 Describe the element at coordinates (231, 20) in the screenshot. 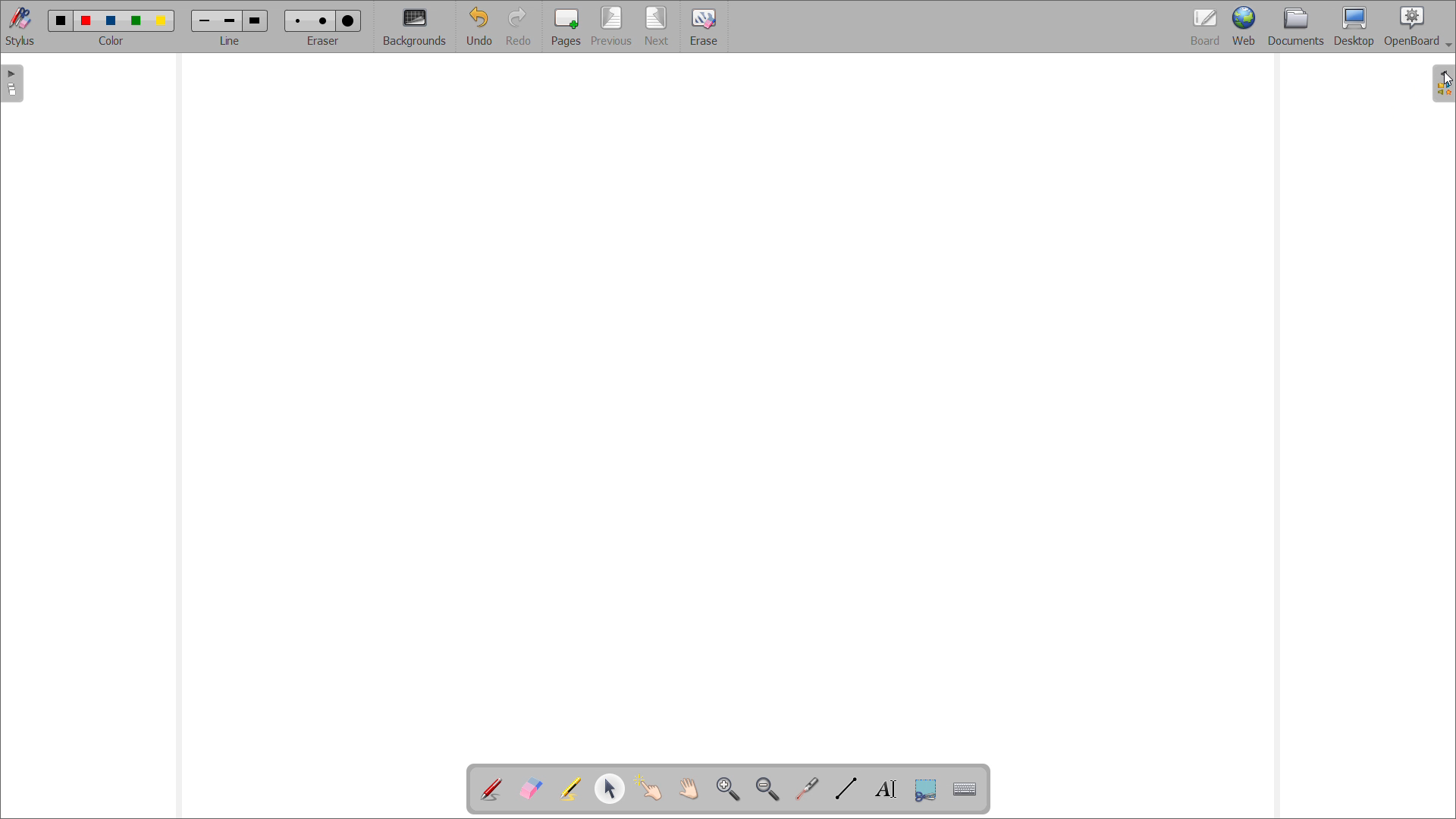

I see `Medium line` at that location.